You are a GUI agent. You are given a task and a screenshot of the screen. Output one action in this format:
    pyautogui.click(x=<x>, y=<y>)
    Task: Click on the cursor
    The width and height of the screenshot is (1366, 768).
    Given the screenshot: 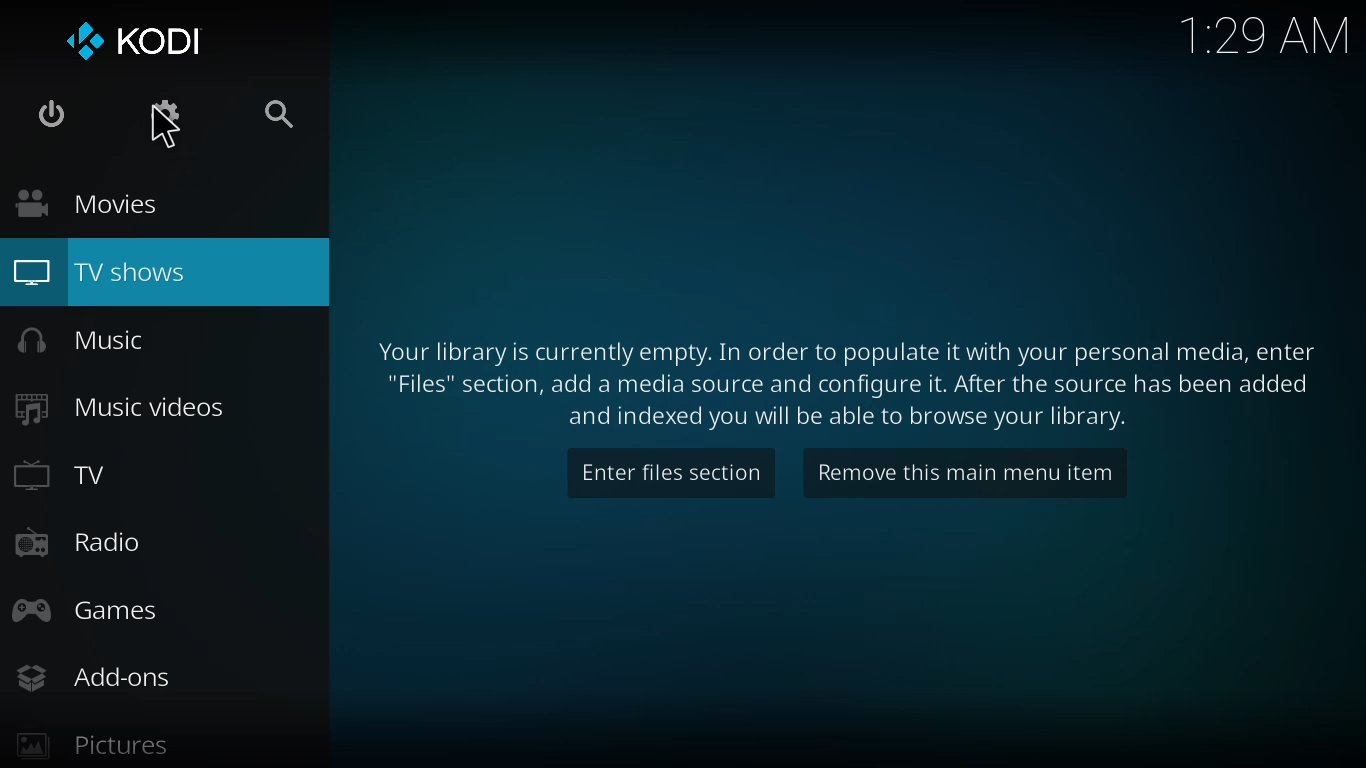 What is the action you would take?
    pyautogui.click(x=165, y=133)
    